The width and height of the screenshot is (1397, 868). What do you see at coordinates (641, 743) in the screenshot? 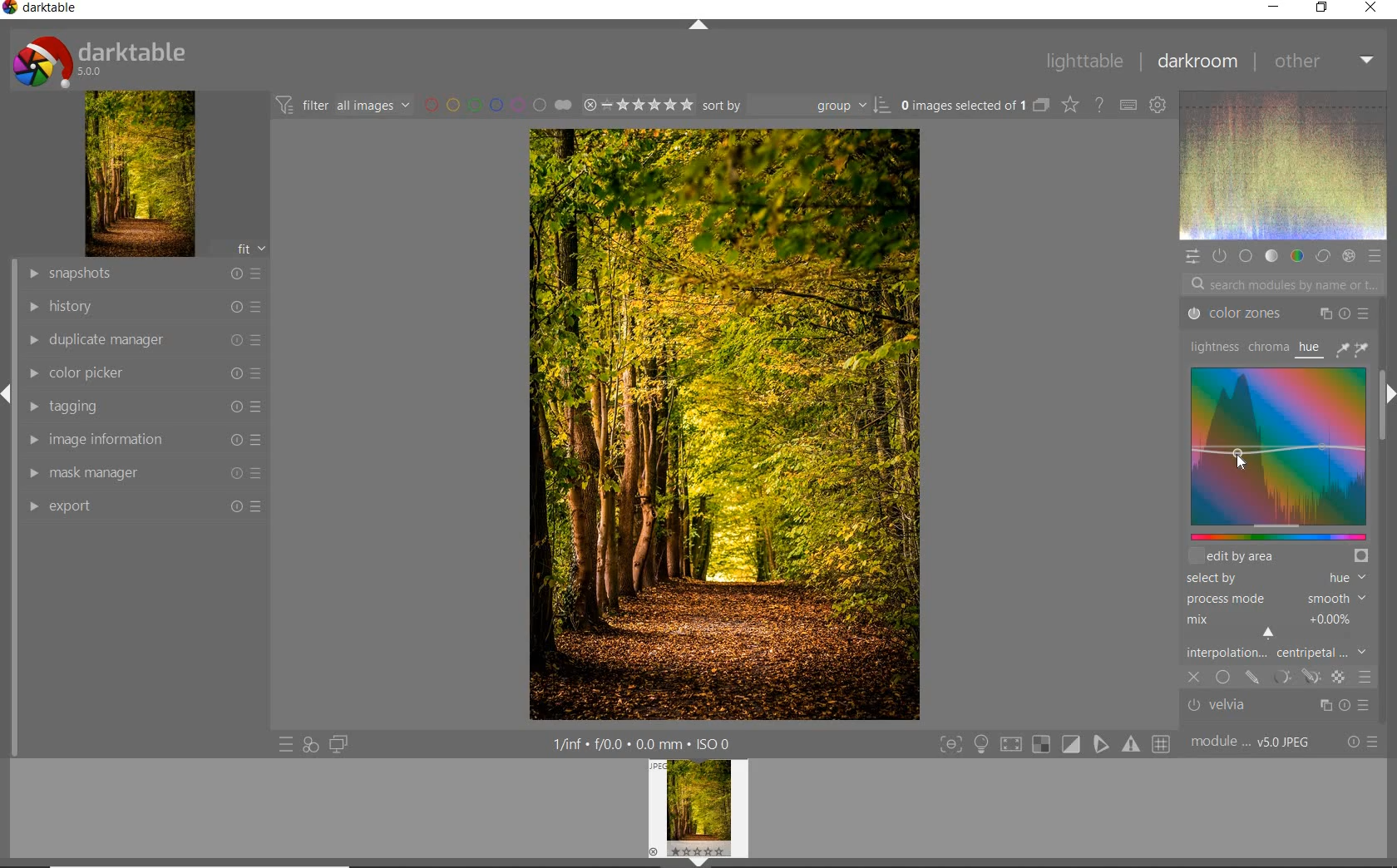
I see `OTHER INTERFACE DETAILS` at bounding box center [641, 743].